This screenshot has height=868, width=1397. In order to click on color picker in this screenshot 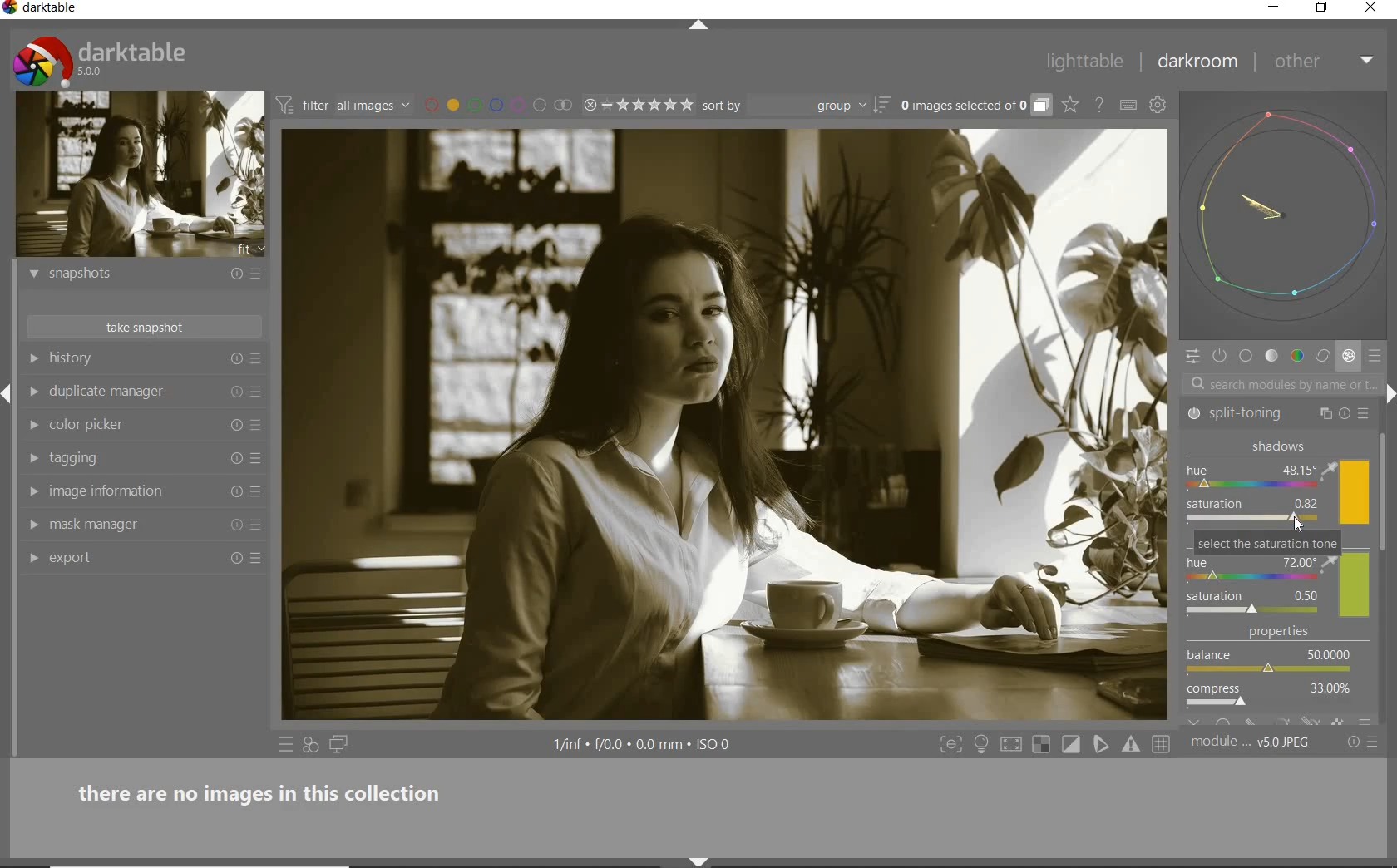, I will do `click(135, 426)`.